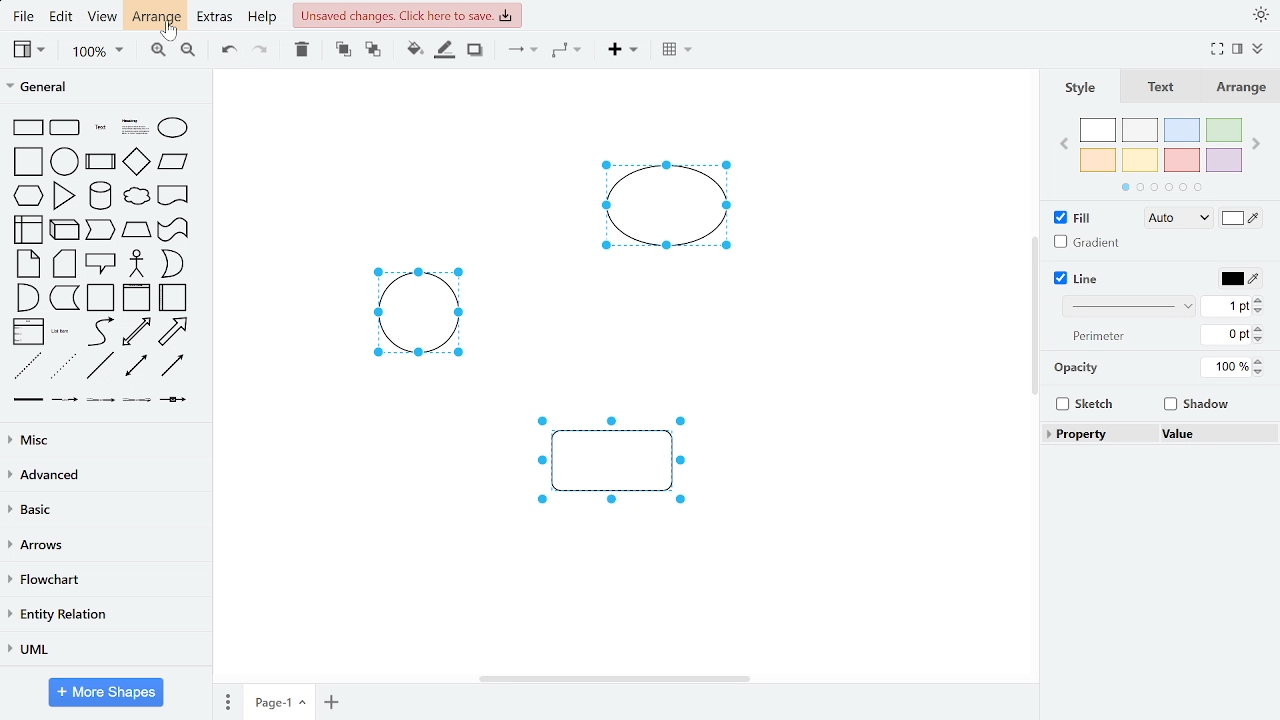 The image size is (1280, 720). I want to click on callout, so click(101, 263).